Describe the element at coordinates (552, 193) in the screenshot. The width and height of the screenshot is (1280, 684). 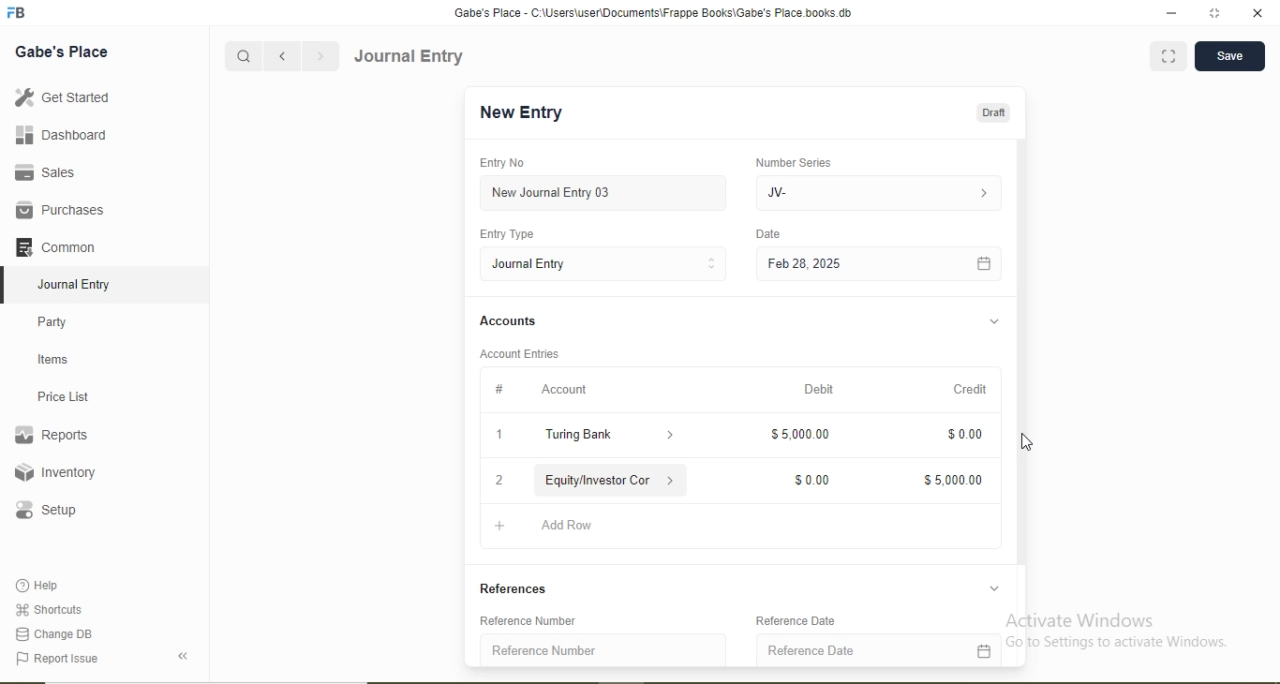
I see `New Journal Entry 03` at that location.